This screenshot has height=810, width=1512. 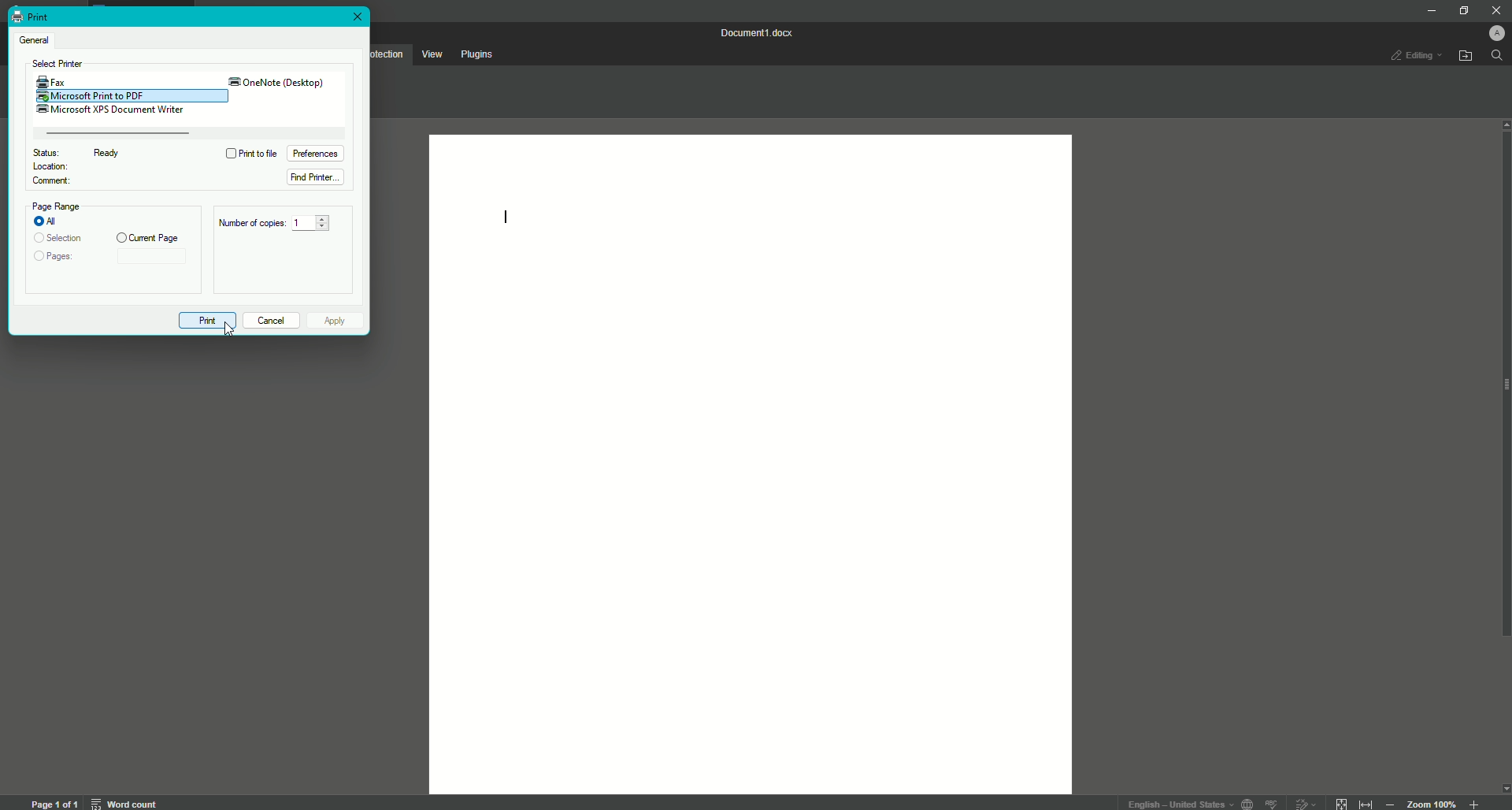 I want to click on Microsoft Print to PDF, so click(x=101, y=95).